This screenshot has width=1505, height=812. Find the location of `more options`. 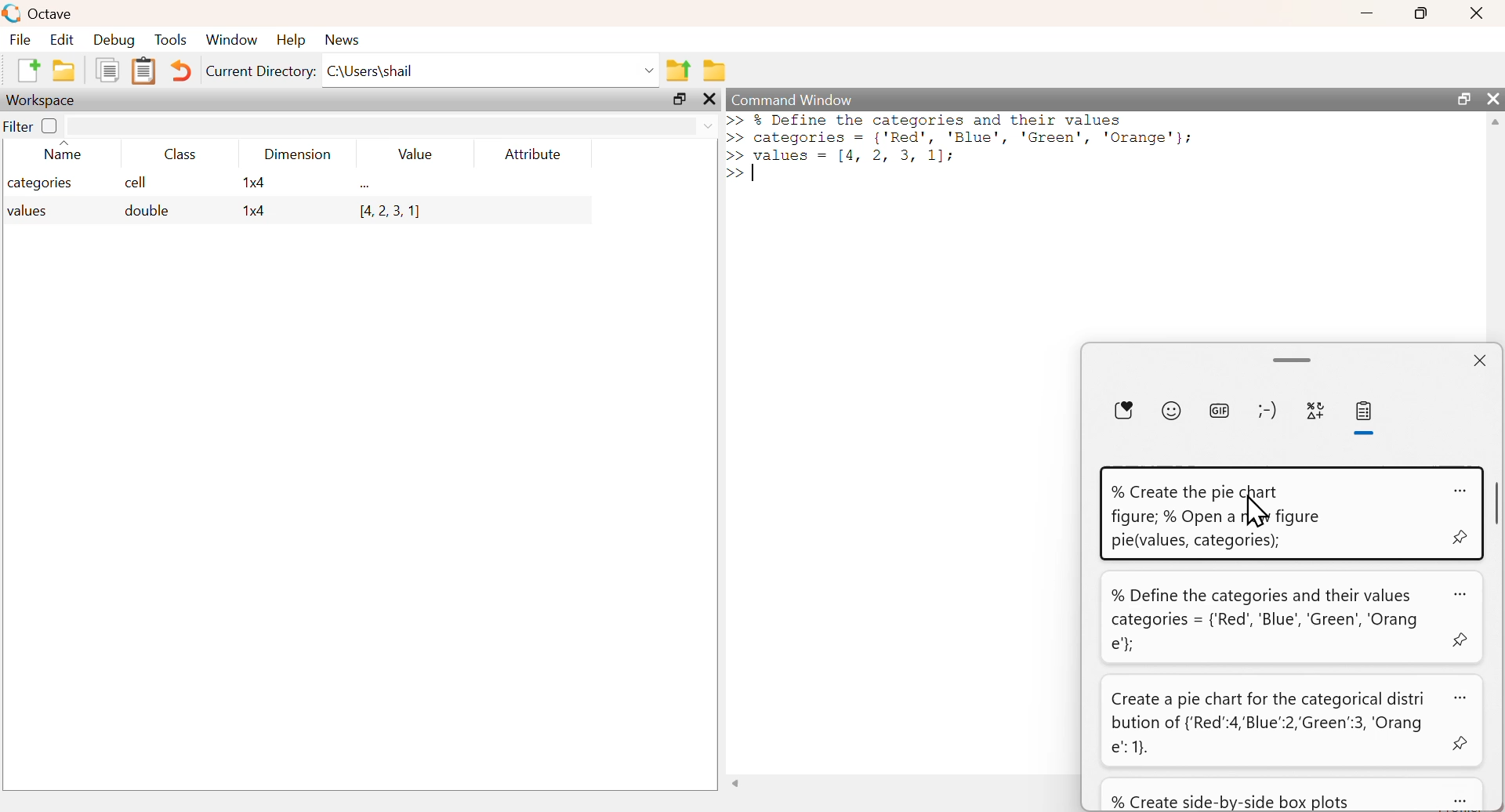

more options is located at coordinates (1460, 595).